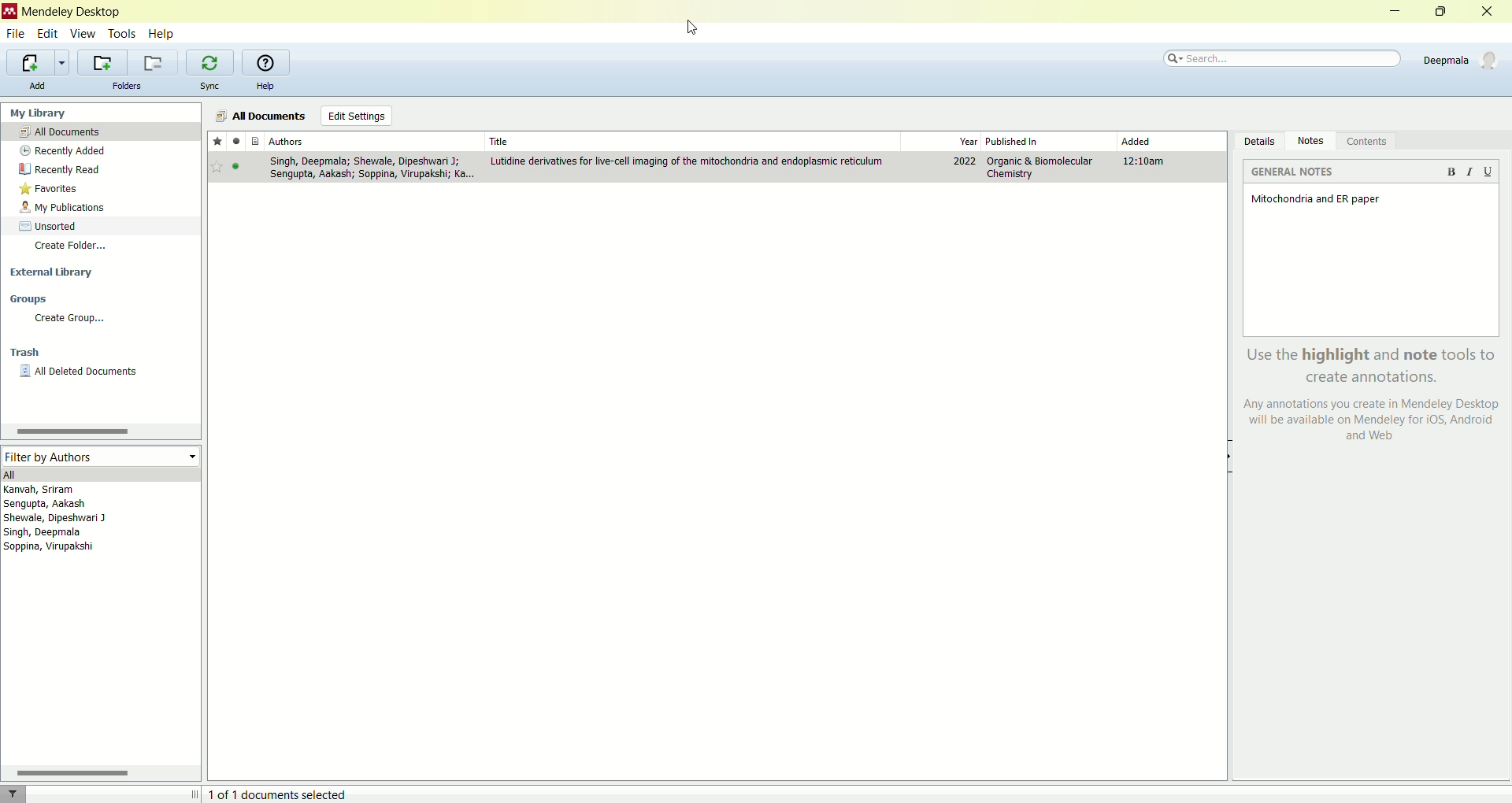 The width and height of the screenshot is (1512, 803). I want to click on Active, so click(238, 169).